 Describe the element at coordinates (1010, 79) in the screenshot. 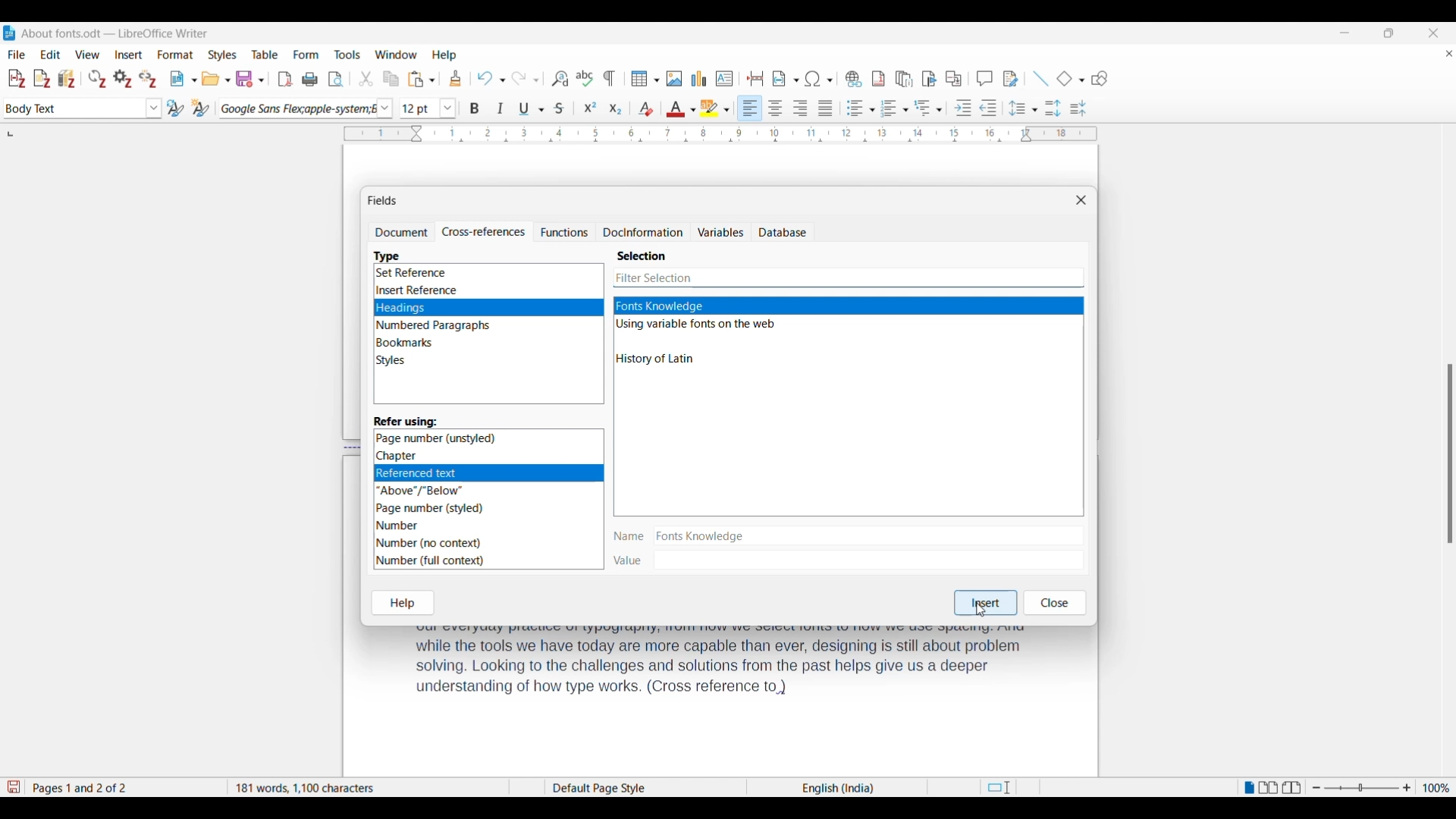

I see `Show track changes functions` at that location.